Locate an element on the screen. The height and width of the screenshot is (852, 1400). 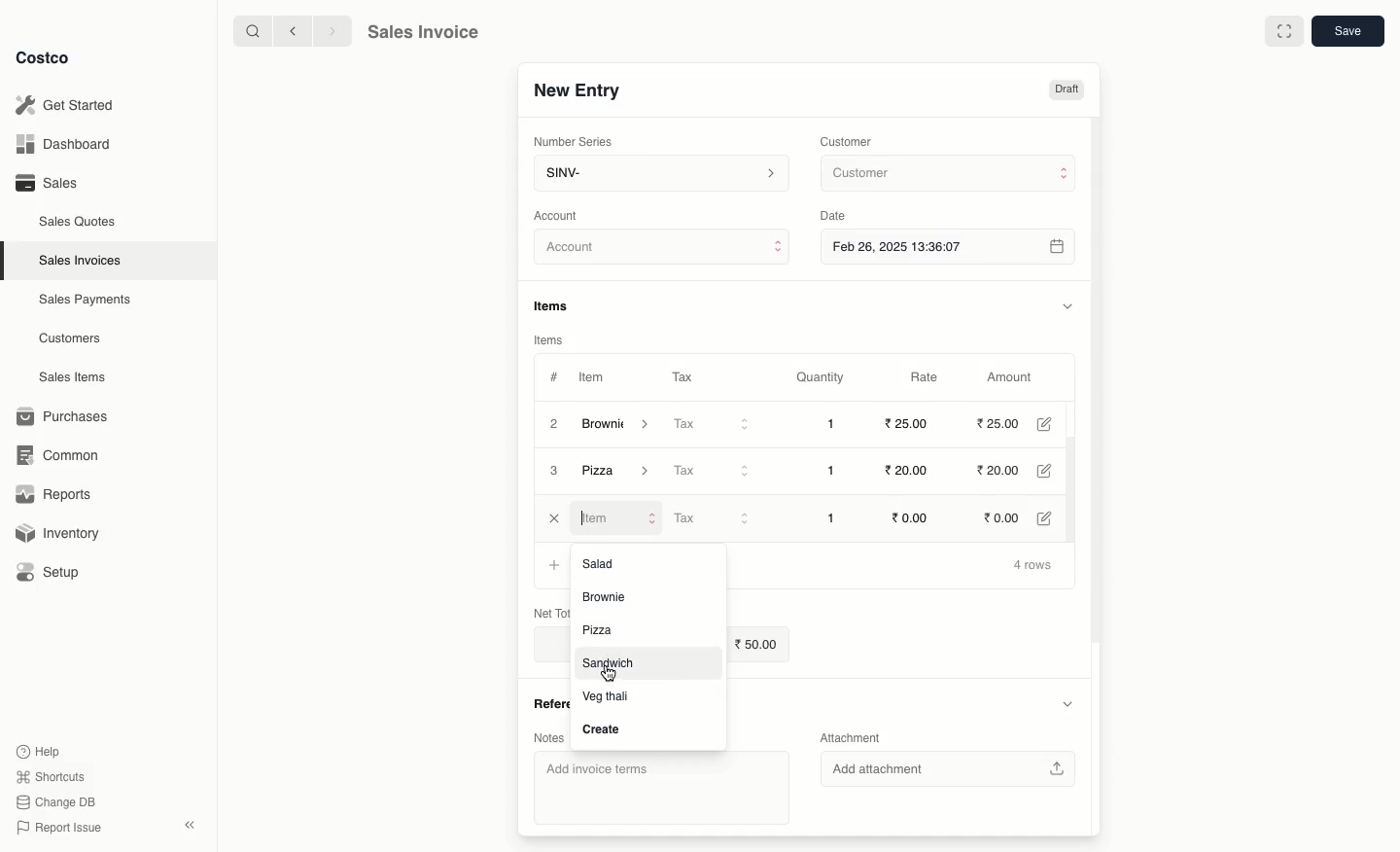
Customers is located at coordinates (70, 337).